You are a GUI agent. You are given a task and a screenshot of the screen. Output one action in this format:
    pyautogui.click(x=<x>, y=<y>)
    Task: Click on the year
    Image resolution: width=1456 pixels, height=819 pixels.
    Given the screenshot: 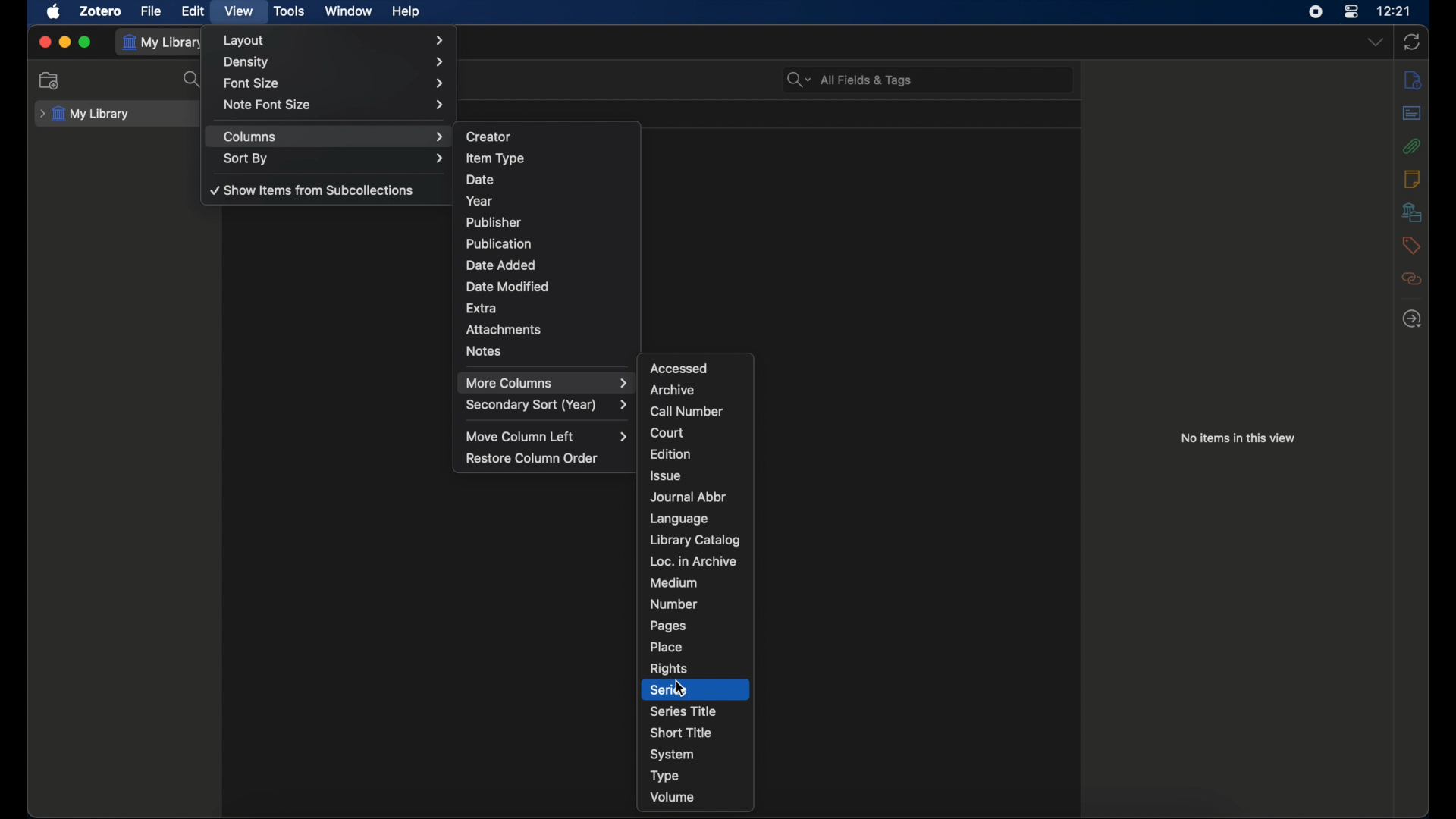 What is the action you would take?
    pyautogui.click(x=479, y=202)
    